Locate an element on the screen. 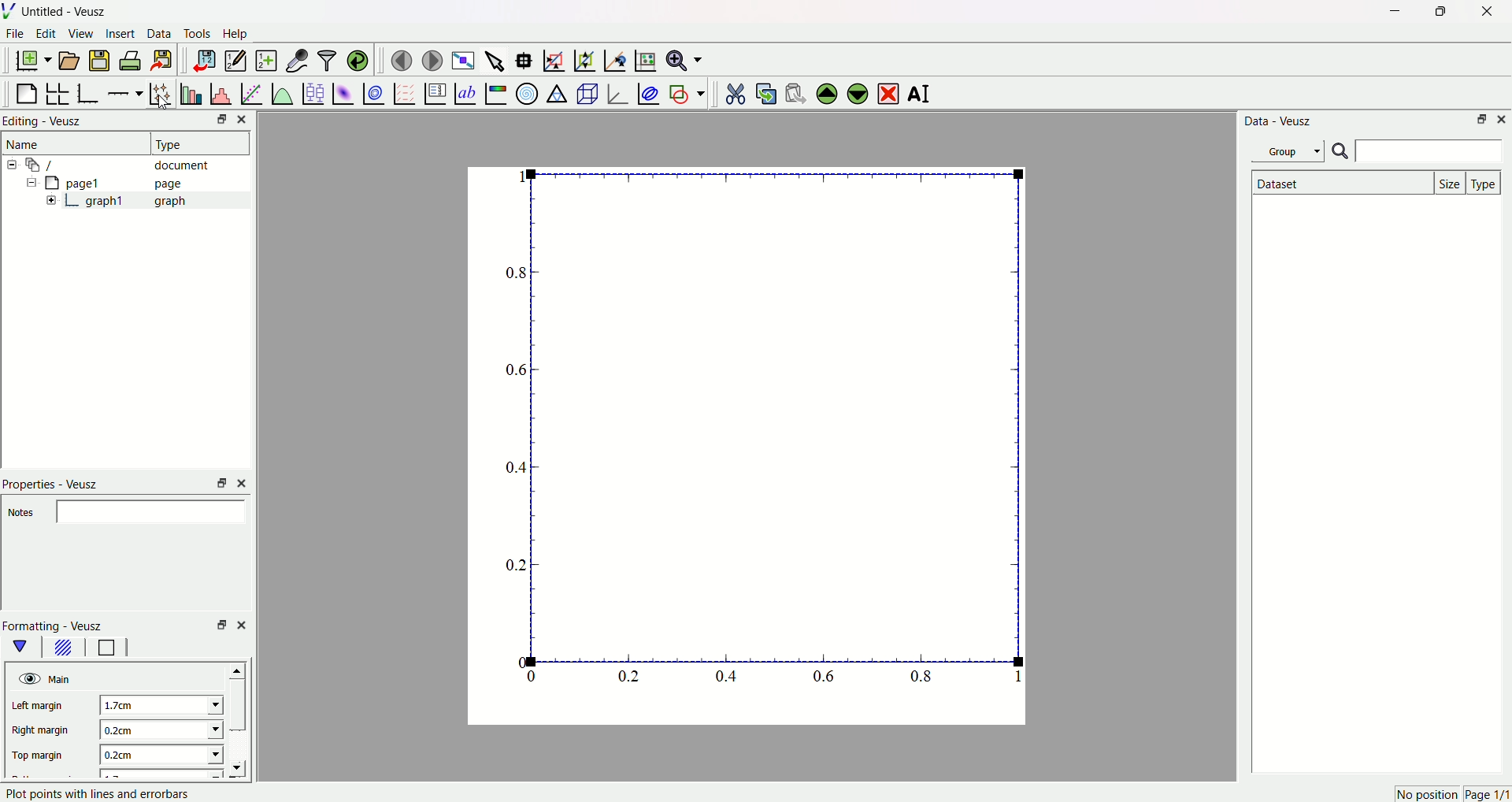 This screenshot has height=802, width=1512. save document is located at coordinates (102, 60).